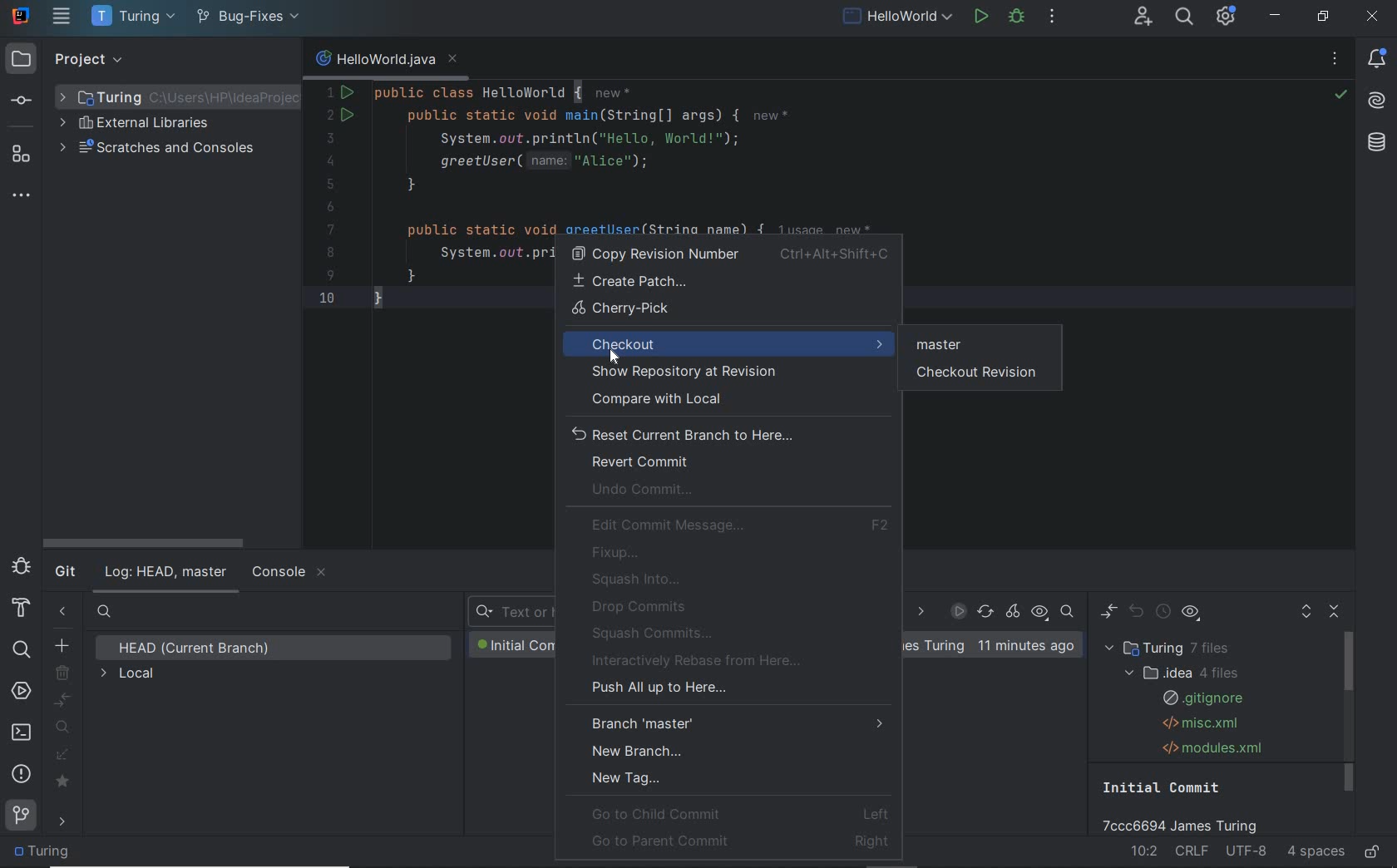 The width and height of the screenshot is (1397, 868). I want to click on undo commit, so click(649, 491).